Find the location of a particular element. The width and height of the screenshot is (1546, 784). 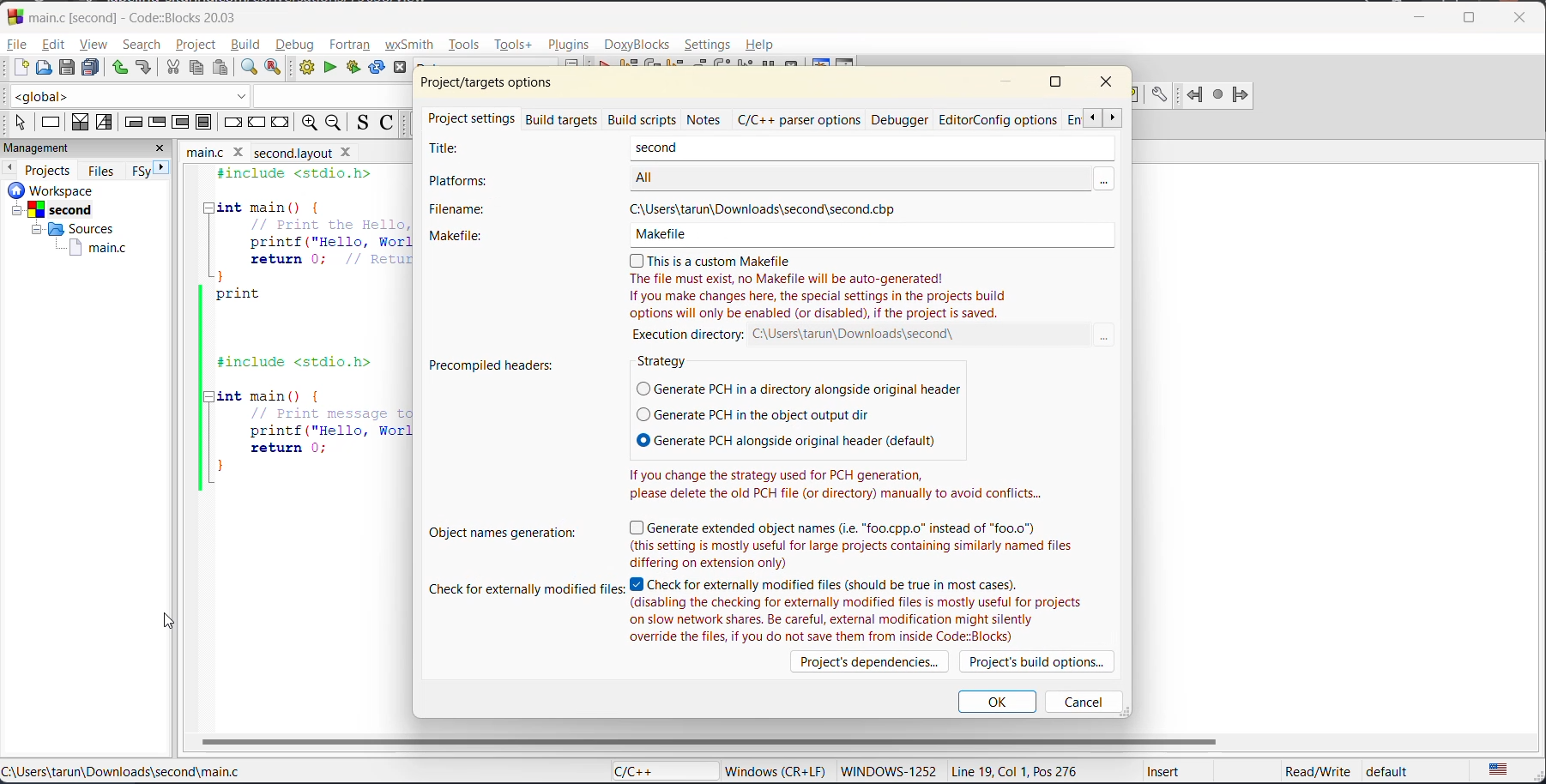

build scripts is located at coordinates (643, 121).